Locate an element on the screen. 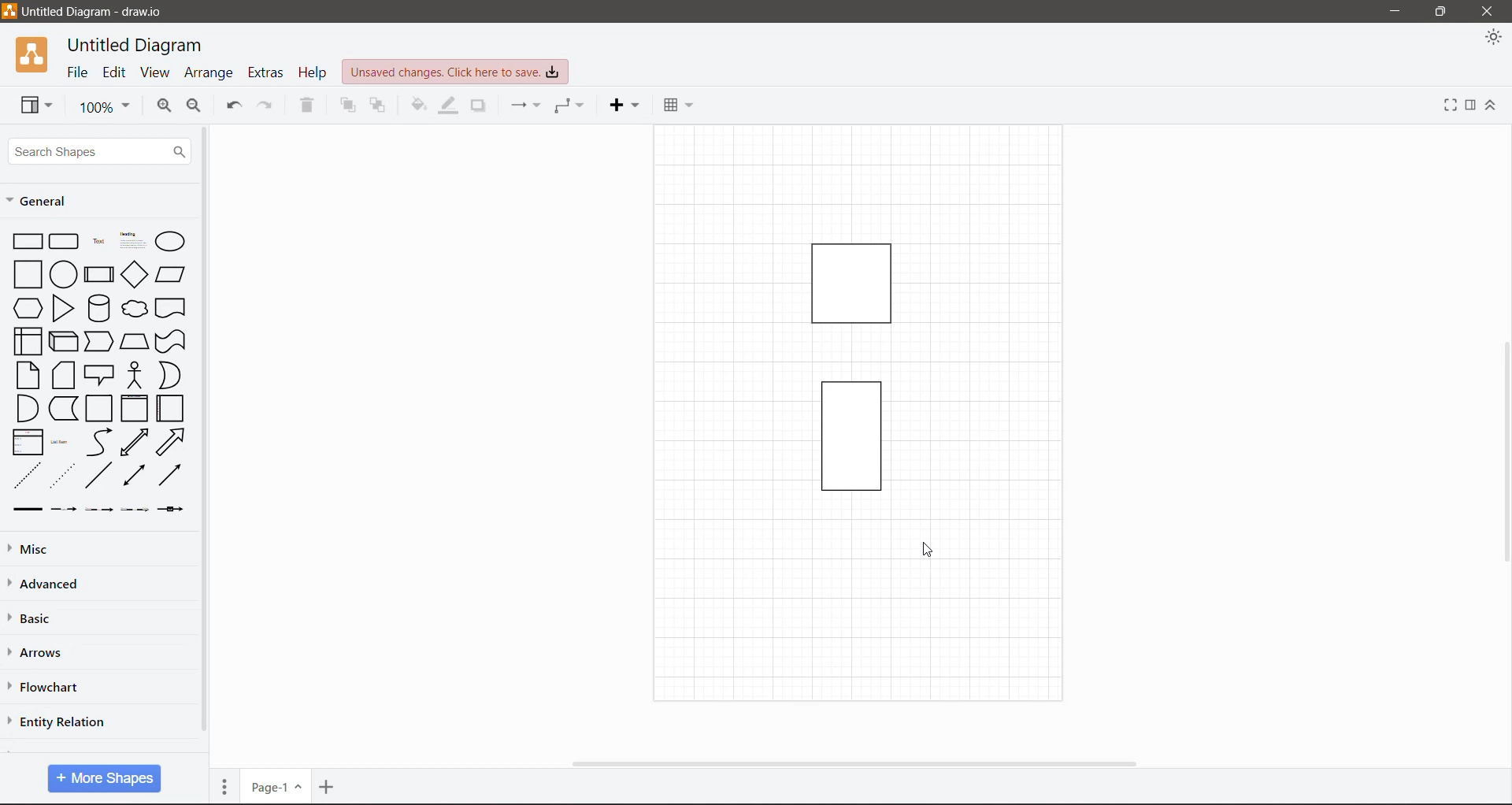  Unsaved Changes. Click here to save is located at coordinates (455, 73).